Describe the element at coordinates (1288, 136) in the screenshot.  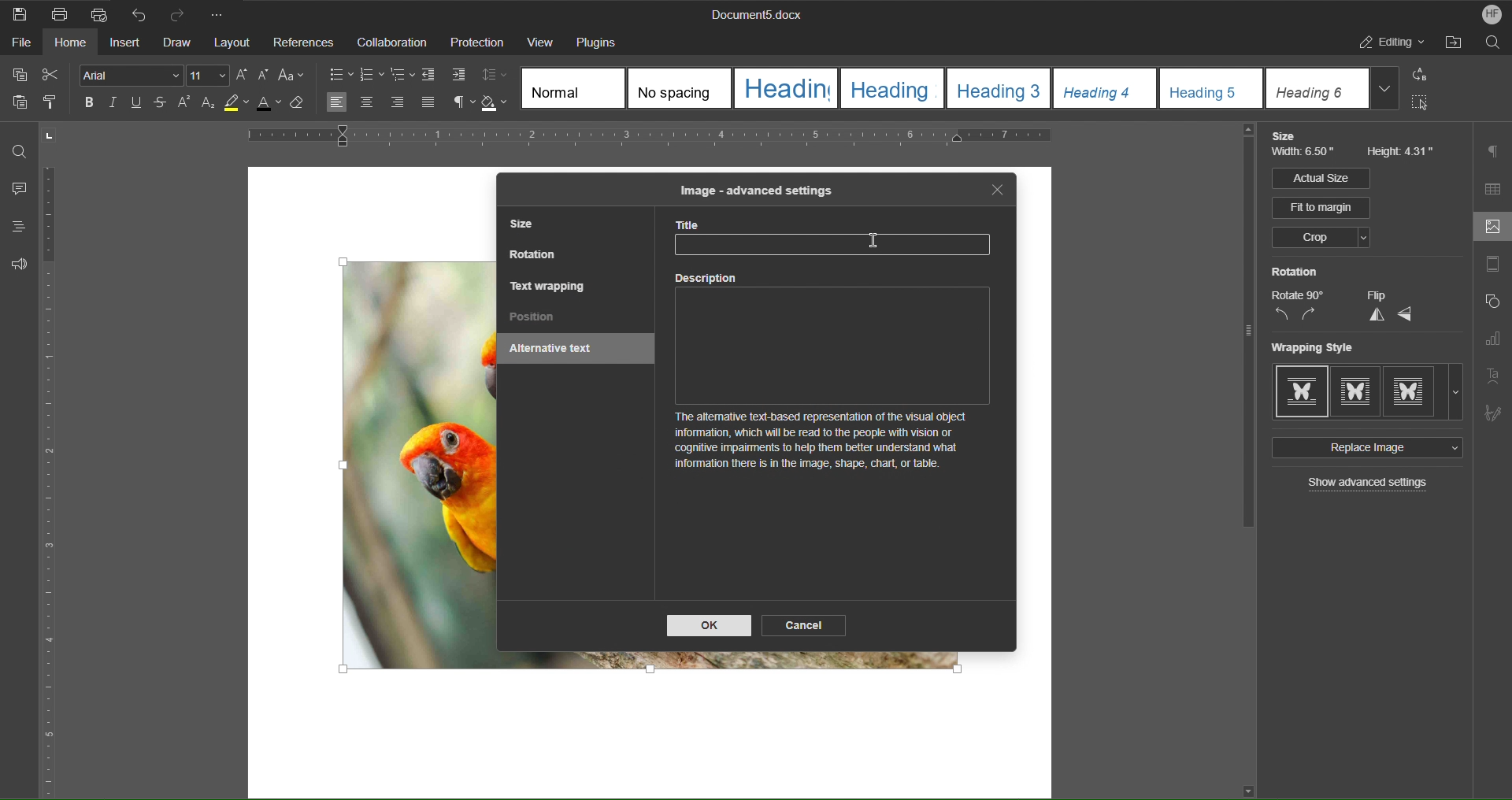
I see `Size` at that location.